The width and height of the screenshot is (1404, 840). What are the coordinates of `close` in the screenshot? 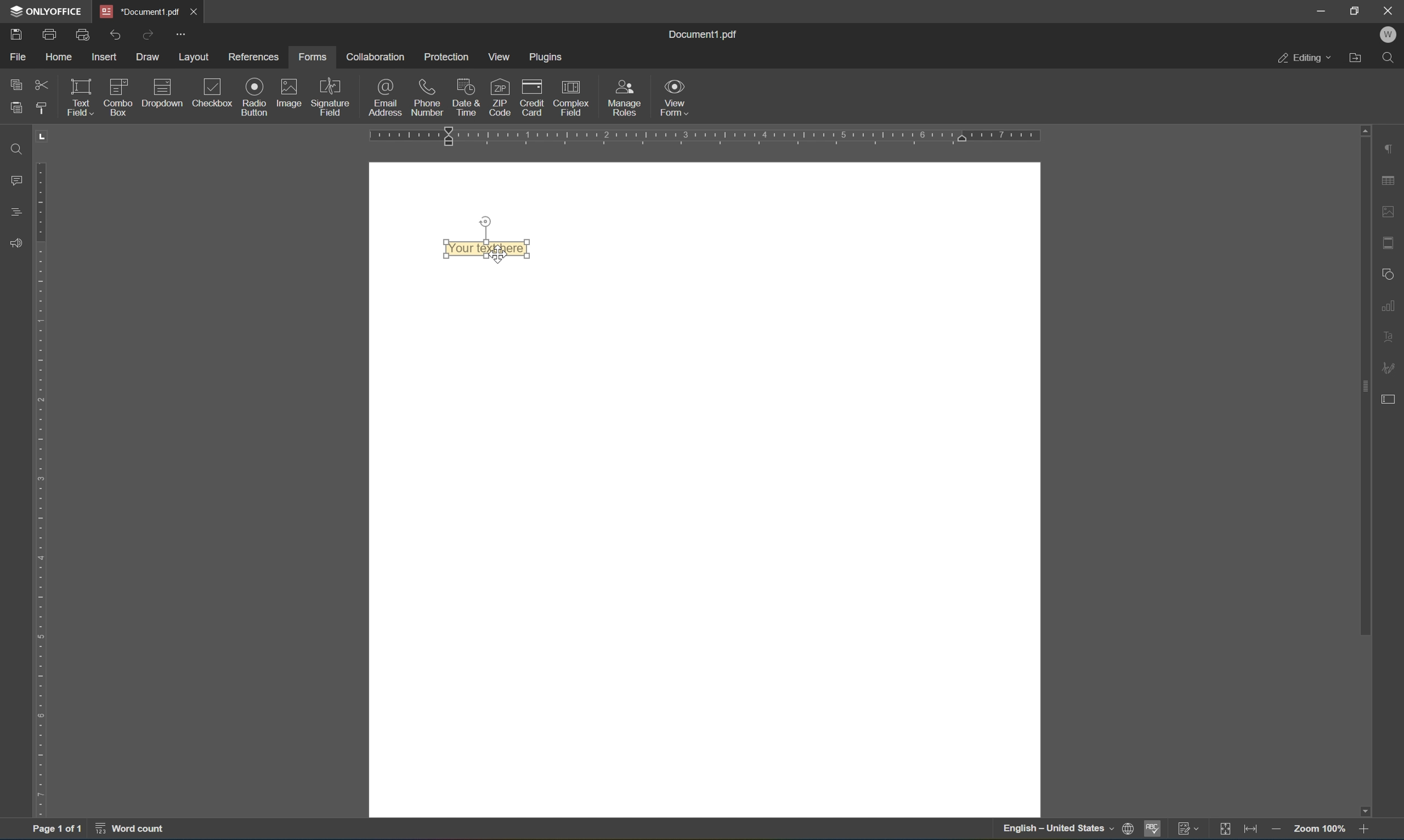 It's located at (191, 10).